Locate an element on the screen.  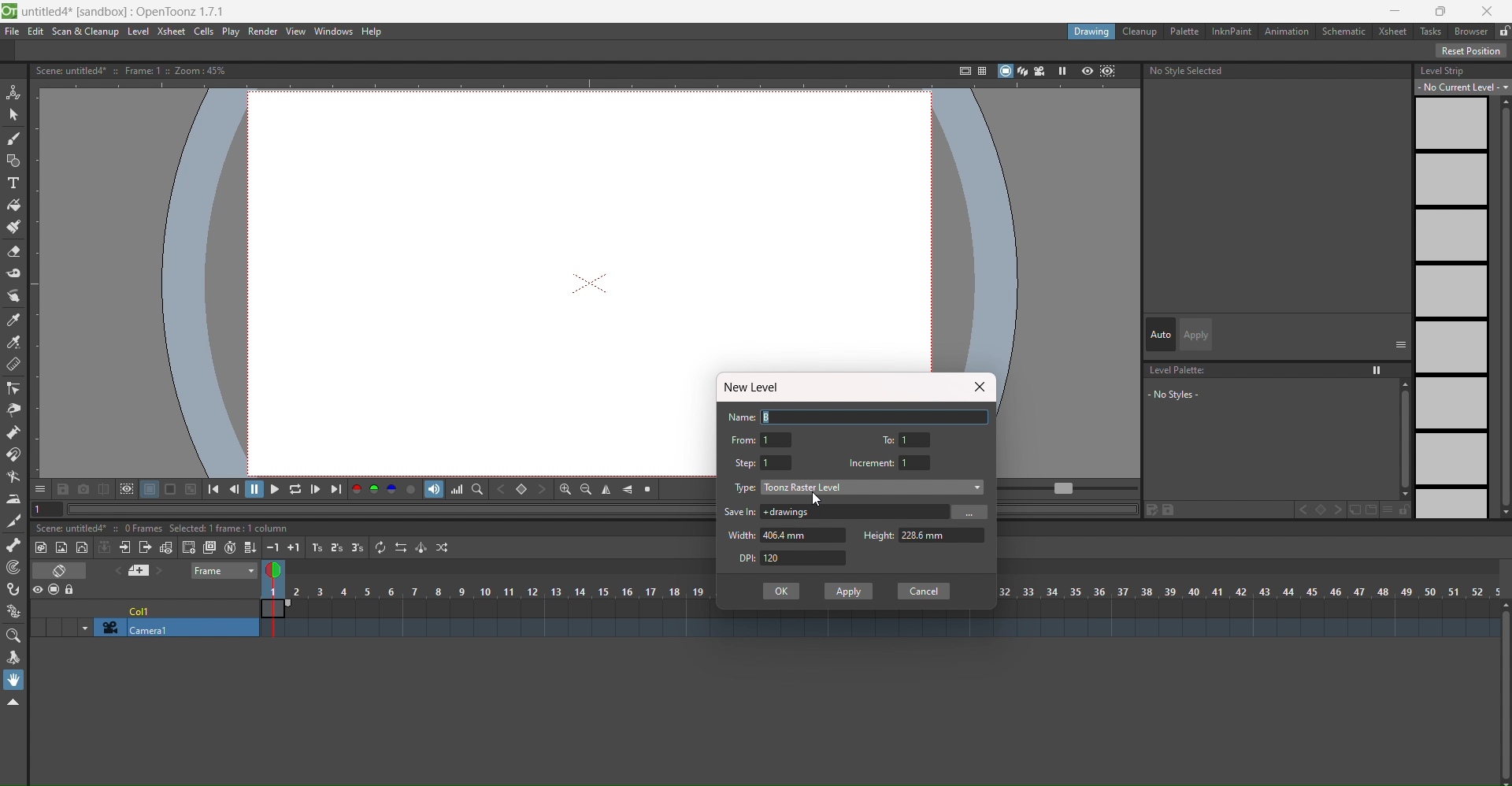
animation tool is located at coordinates (14, 93).